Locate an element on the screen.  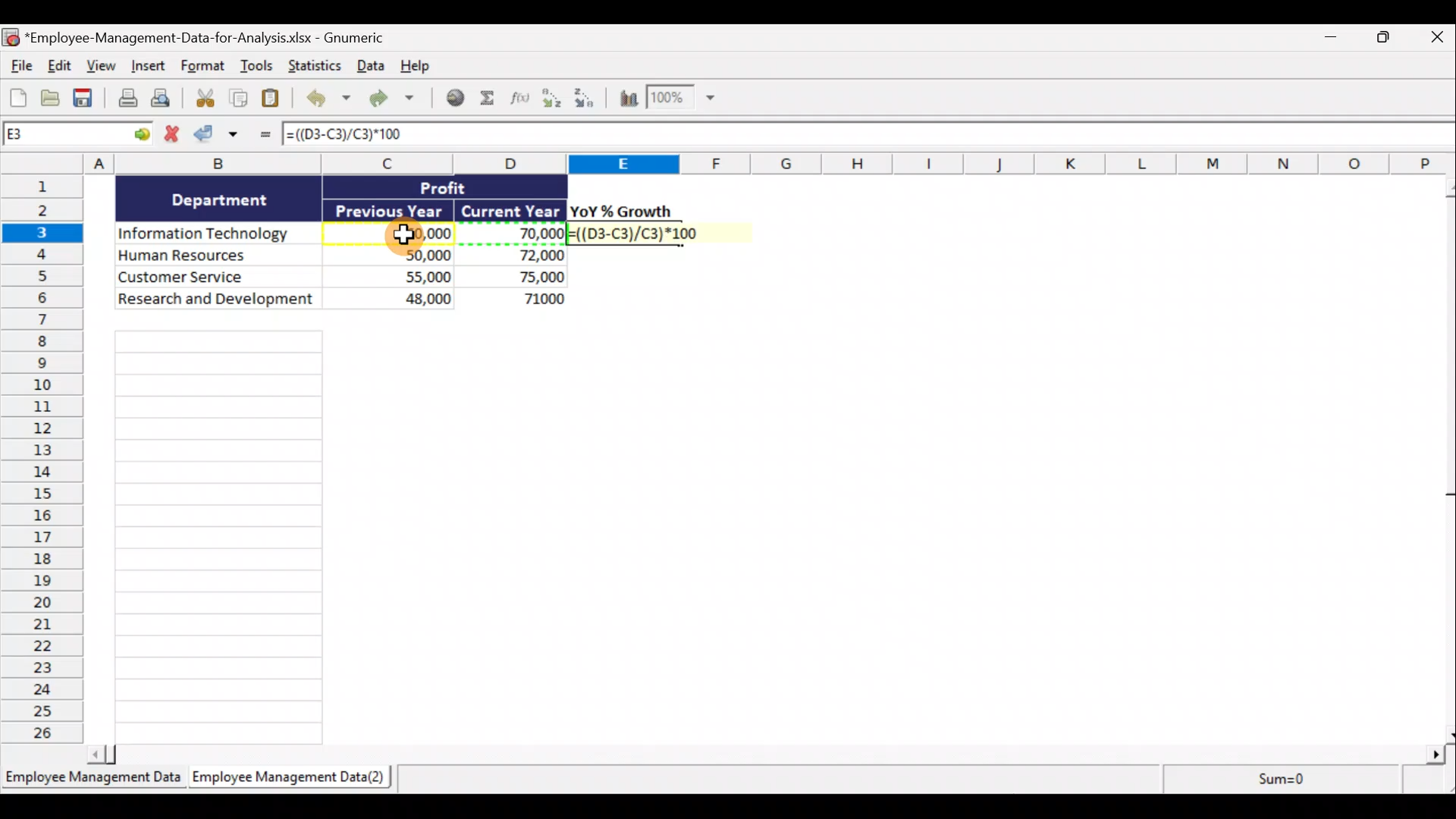
Create a new workbook is located at coordinates (18, 96).